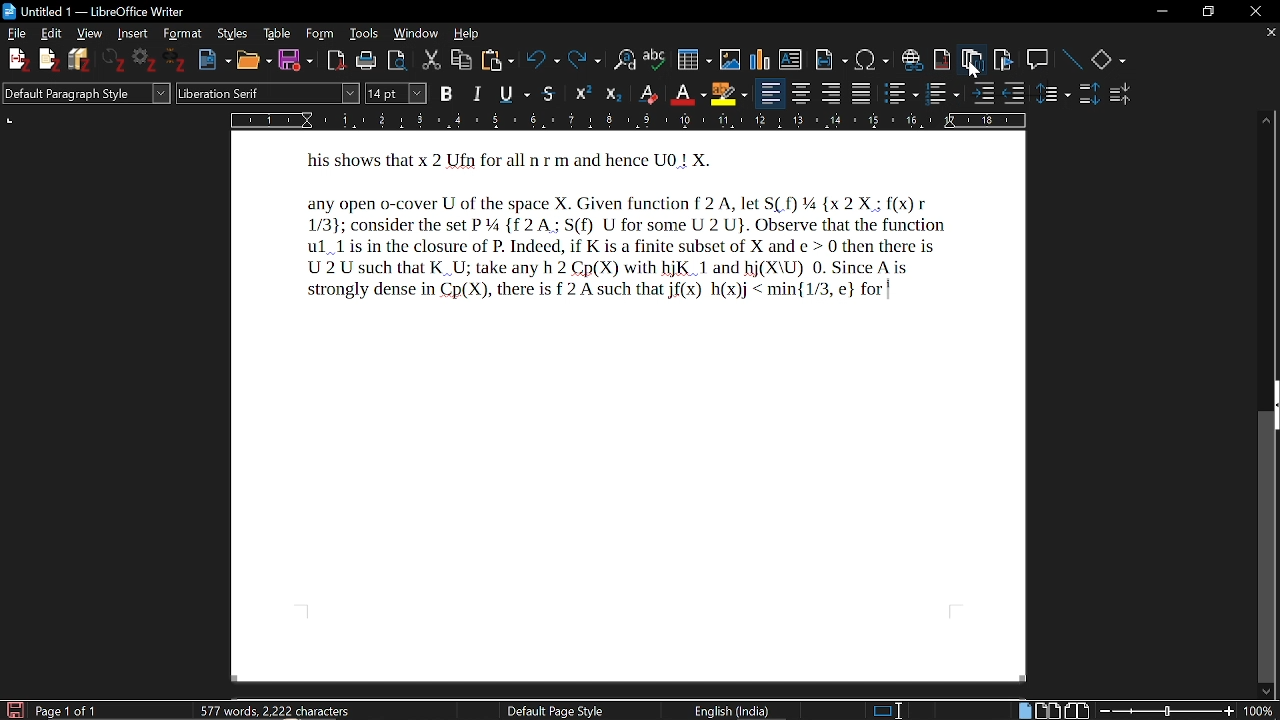  I want to click on Superscript, so click(582, 94).